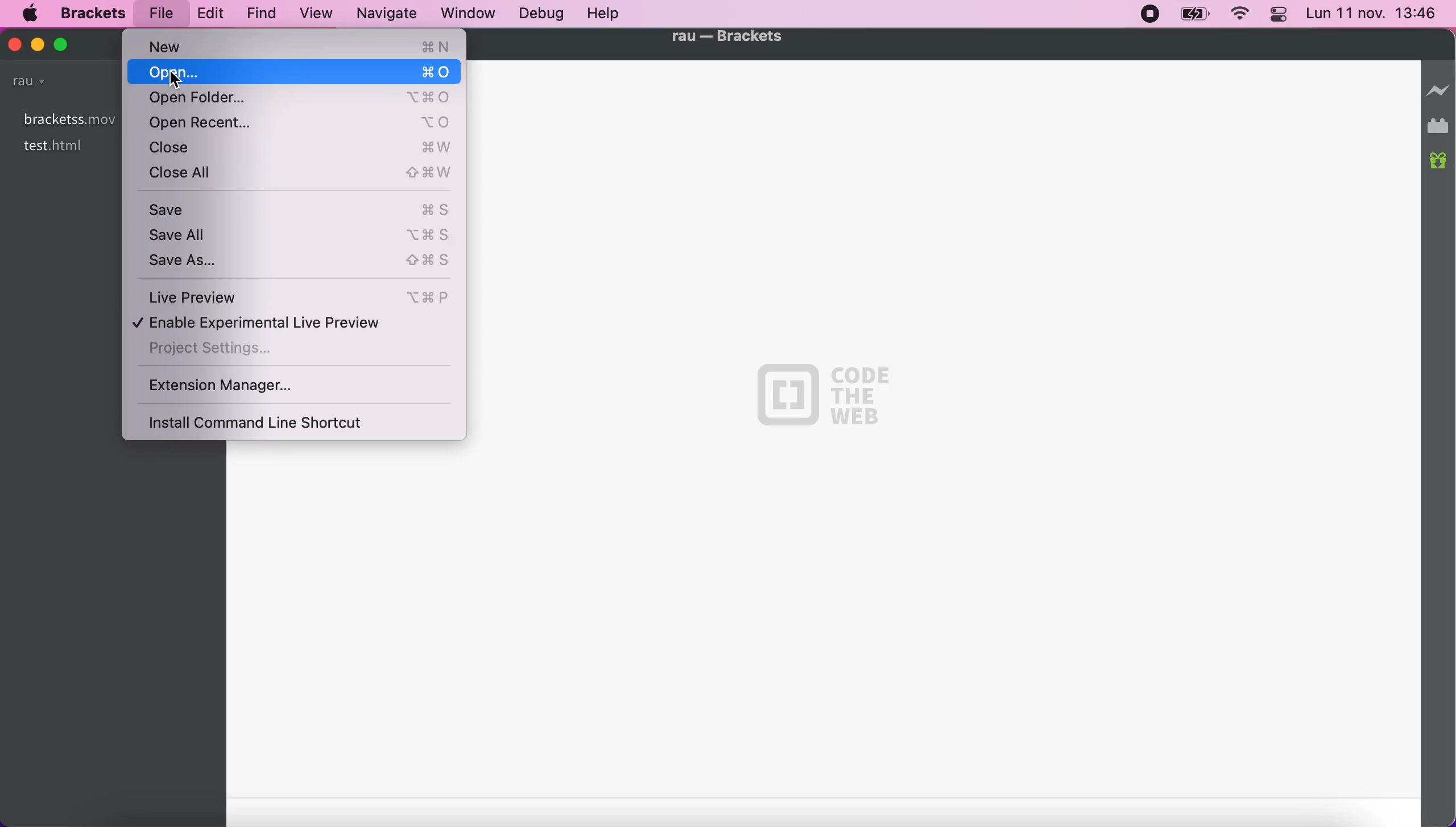 Image resolution: width=1456 pixels, height=827 pixels. I want to click on battery, so click(1195, 16).